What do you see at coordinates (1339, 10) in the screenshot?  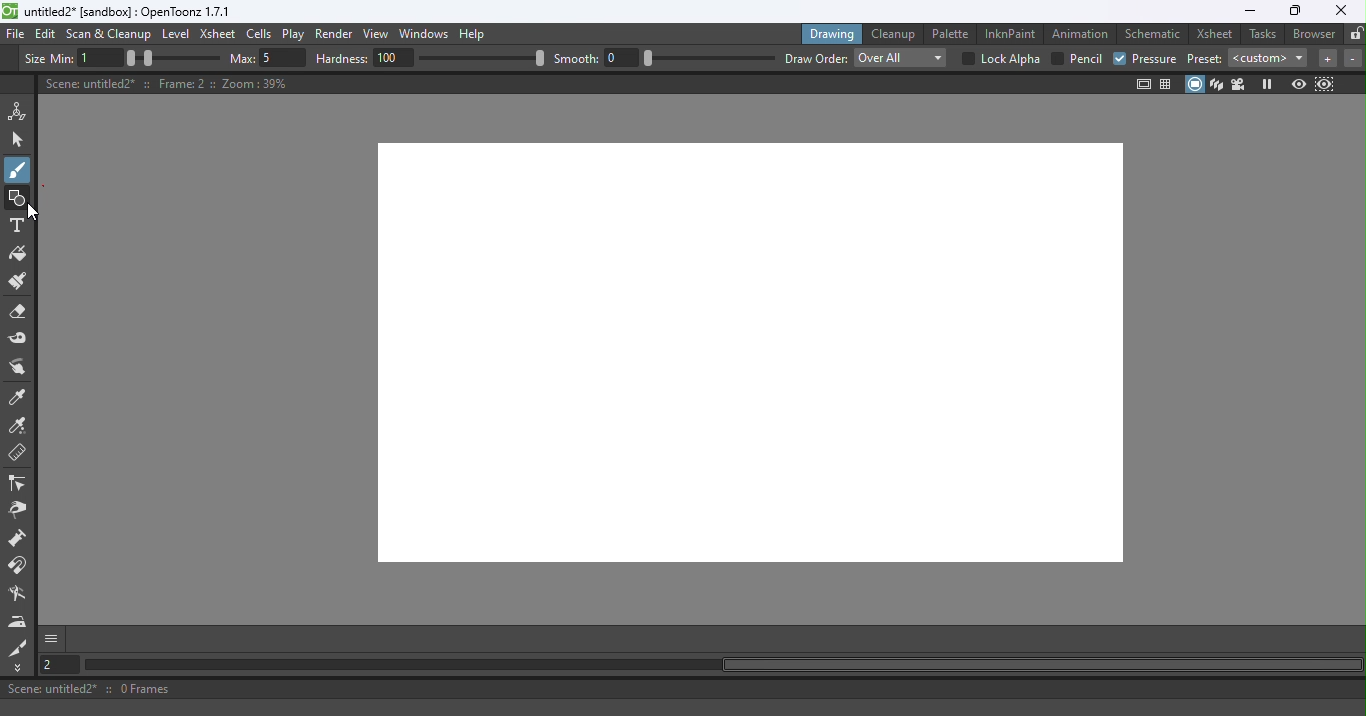 I see `Close` at bounding box center [1339, 10].